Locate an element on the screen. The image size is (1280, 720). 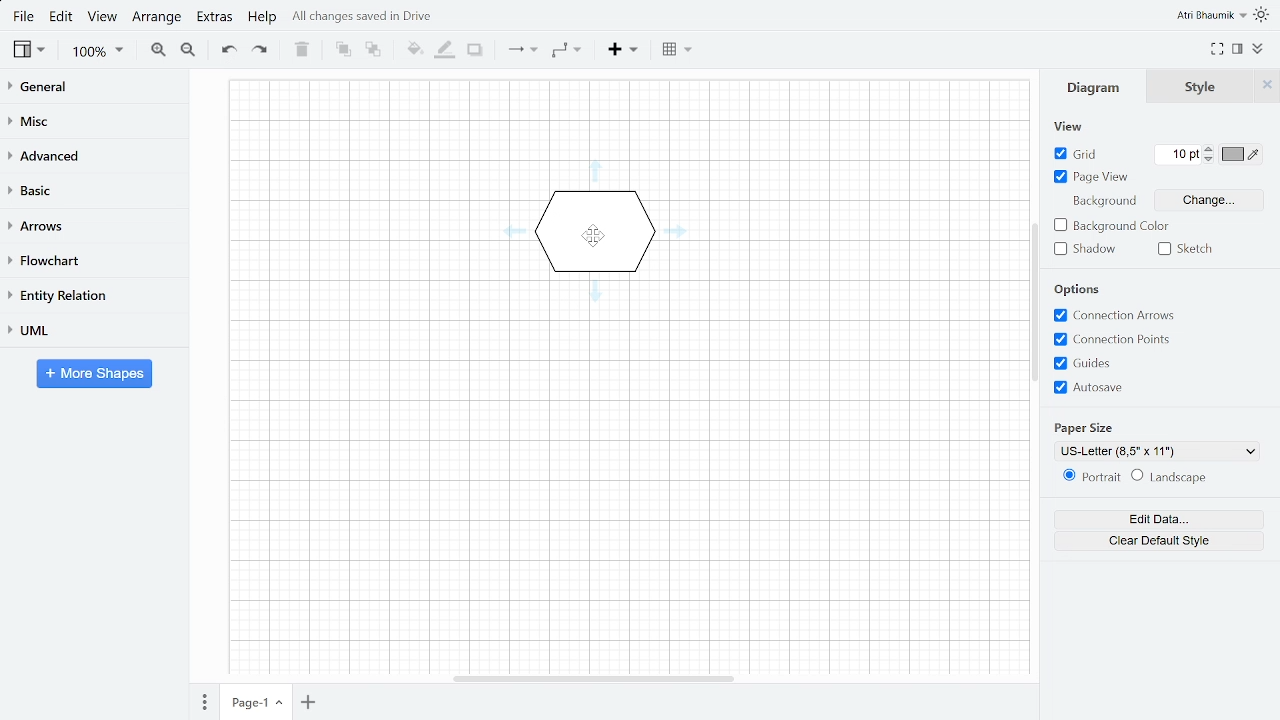
Move shape right is located at coordinates (675, 231).